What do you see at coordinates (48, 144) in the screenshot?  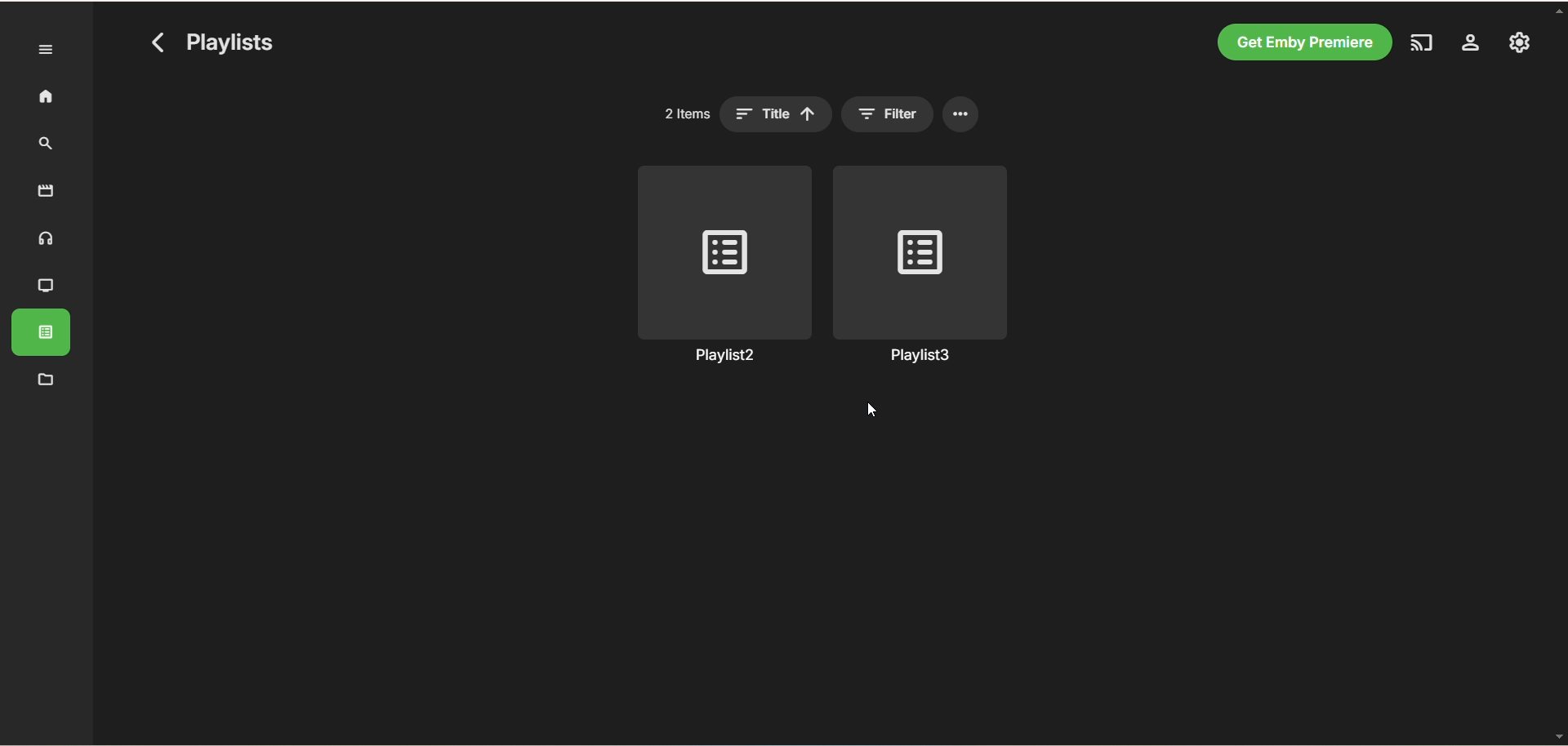 I see `search` at bounding box center [48, 144].